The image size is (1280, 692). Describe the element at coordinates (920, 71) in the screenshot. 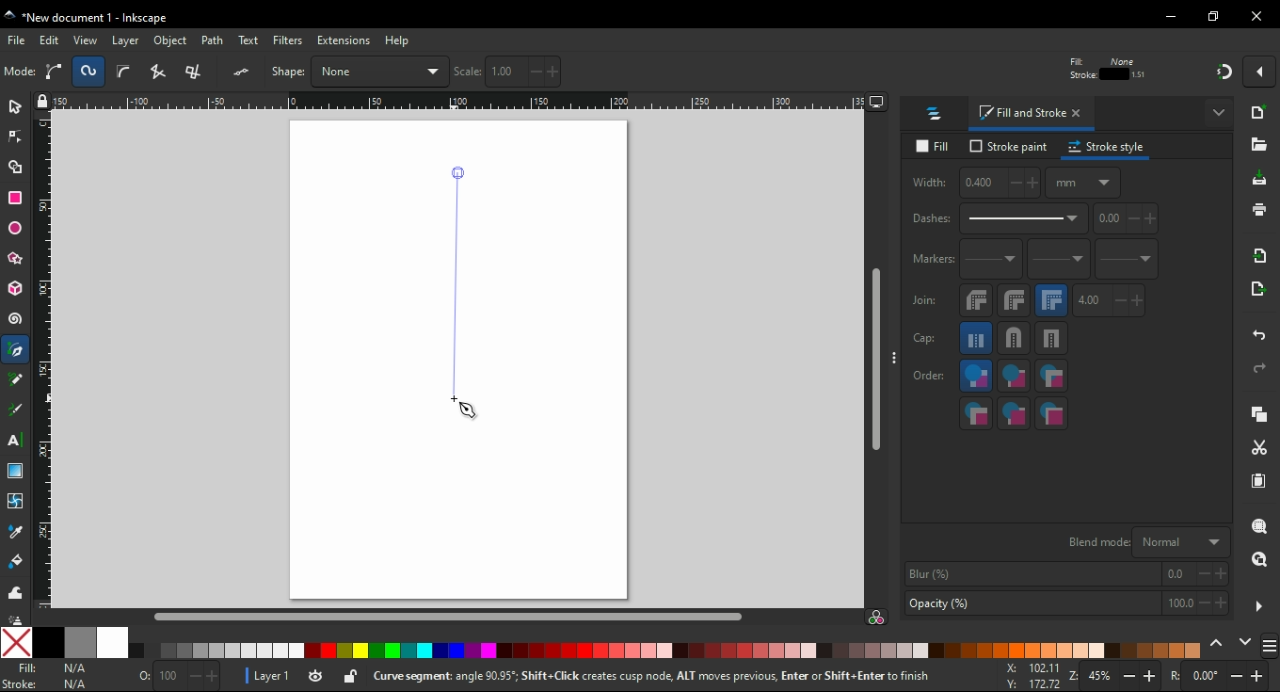

I see `height of selection` at that location.